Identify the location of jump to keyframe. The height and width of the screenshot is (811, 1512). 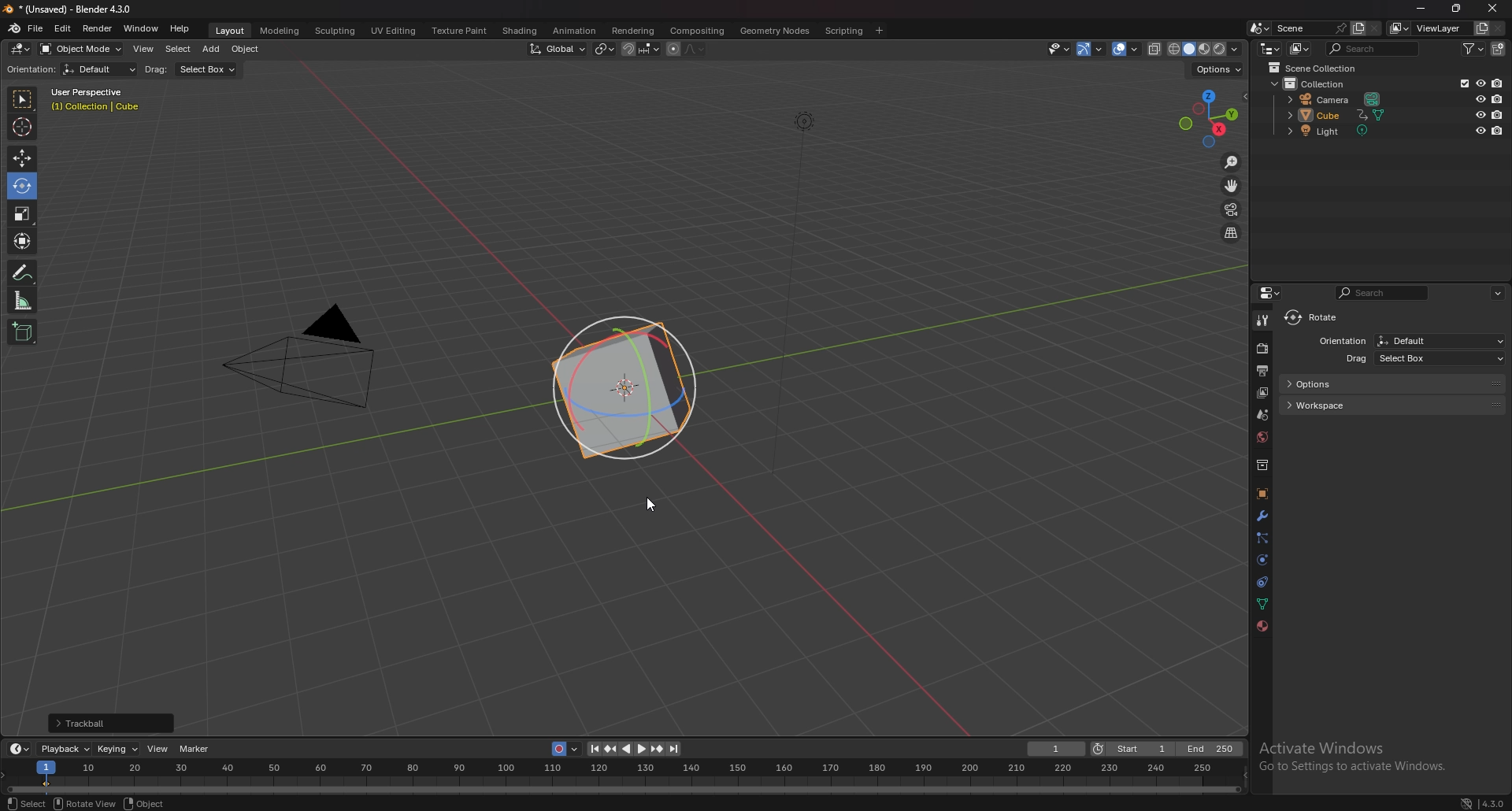
(612, 750).